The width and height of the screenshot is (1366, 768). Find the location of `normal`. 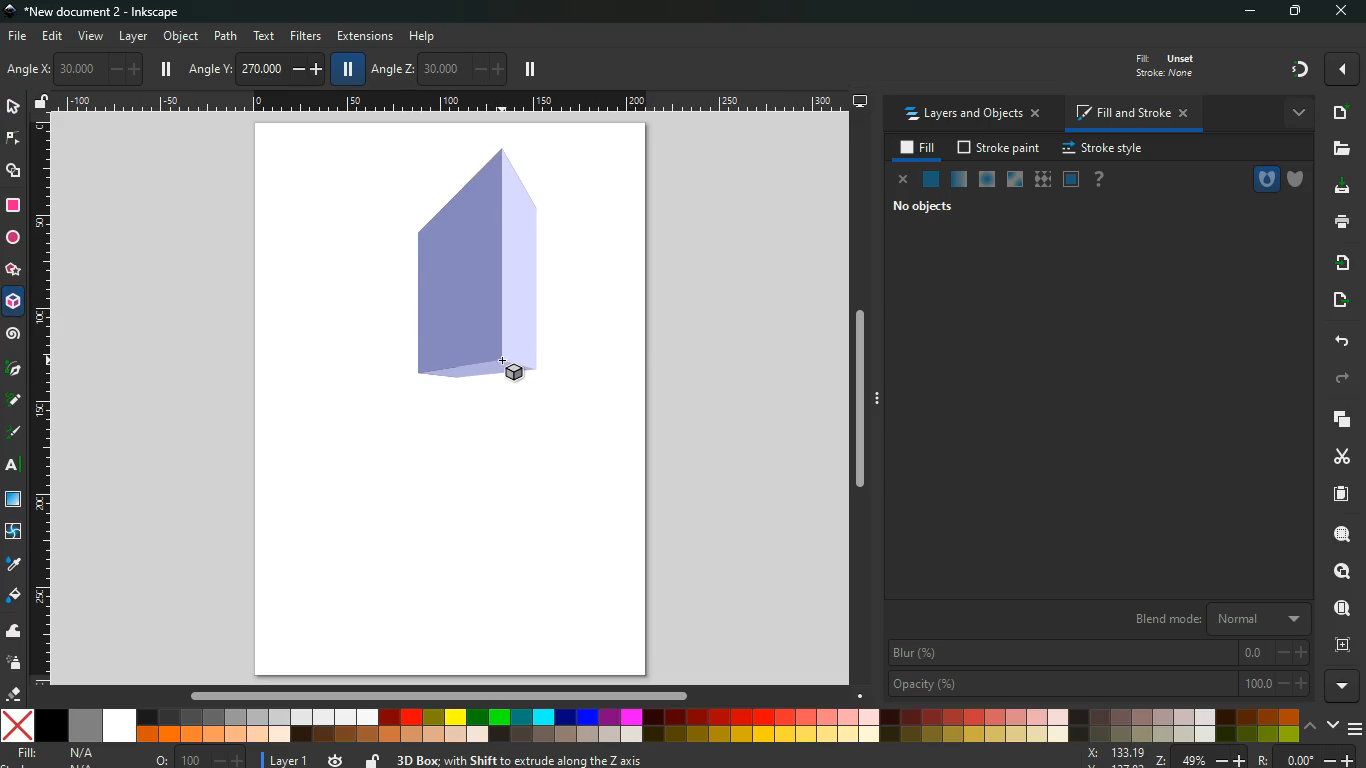

normal is located at coordinates (929, 179).